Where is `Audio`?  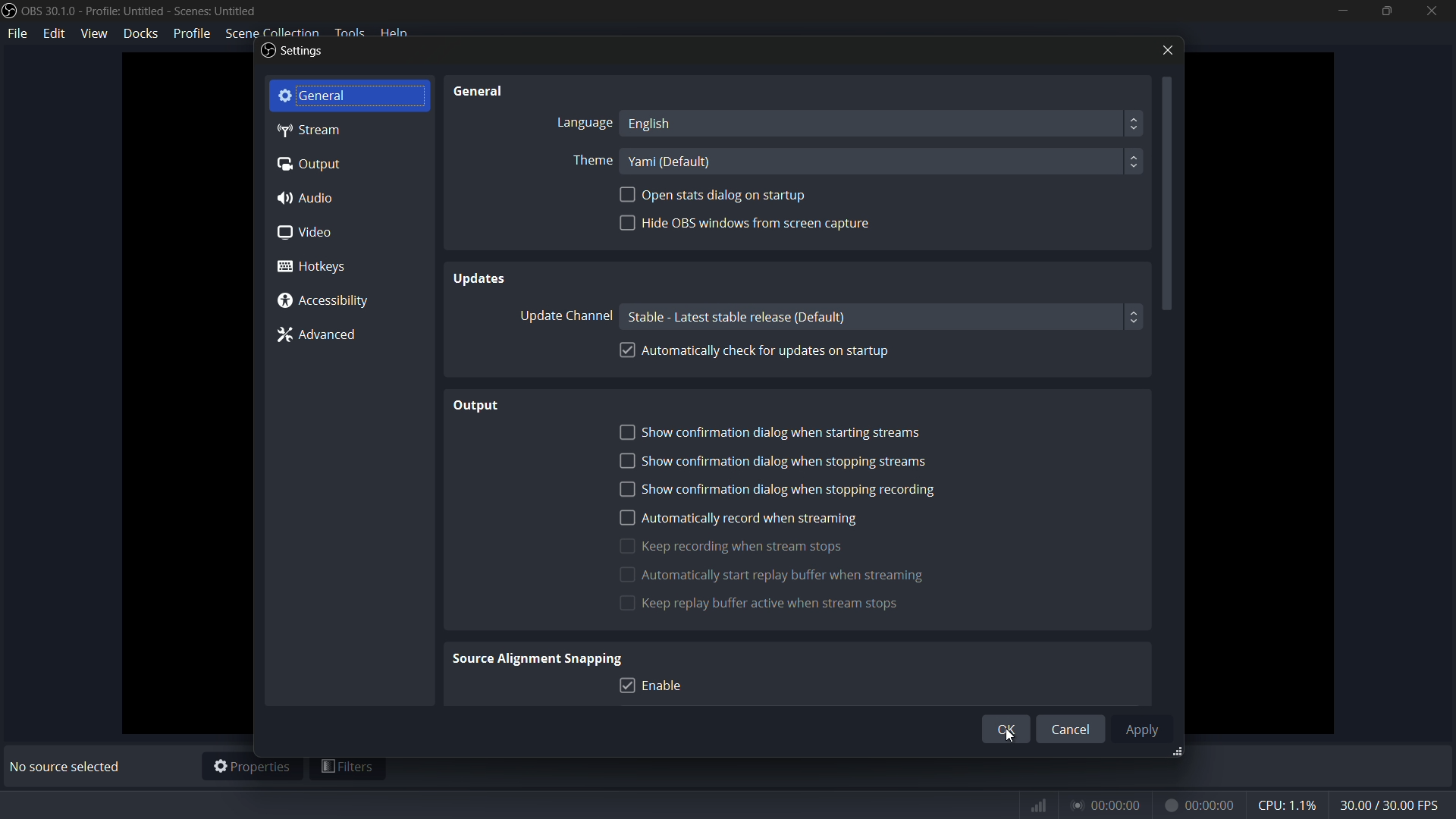
Audio is located at coordinates (317, 197).